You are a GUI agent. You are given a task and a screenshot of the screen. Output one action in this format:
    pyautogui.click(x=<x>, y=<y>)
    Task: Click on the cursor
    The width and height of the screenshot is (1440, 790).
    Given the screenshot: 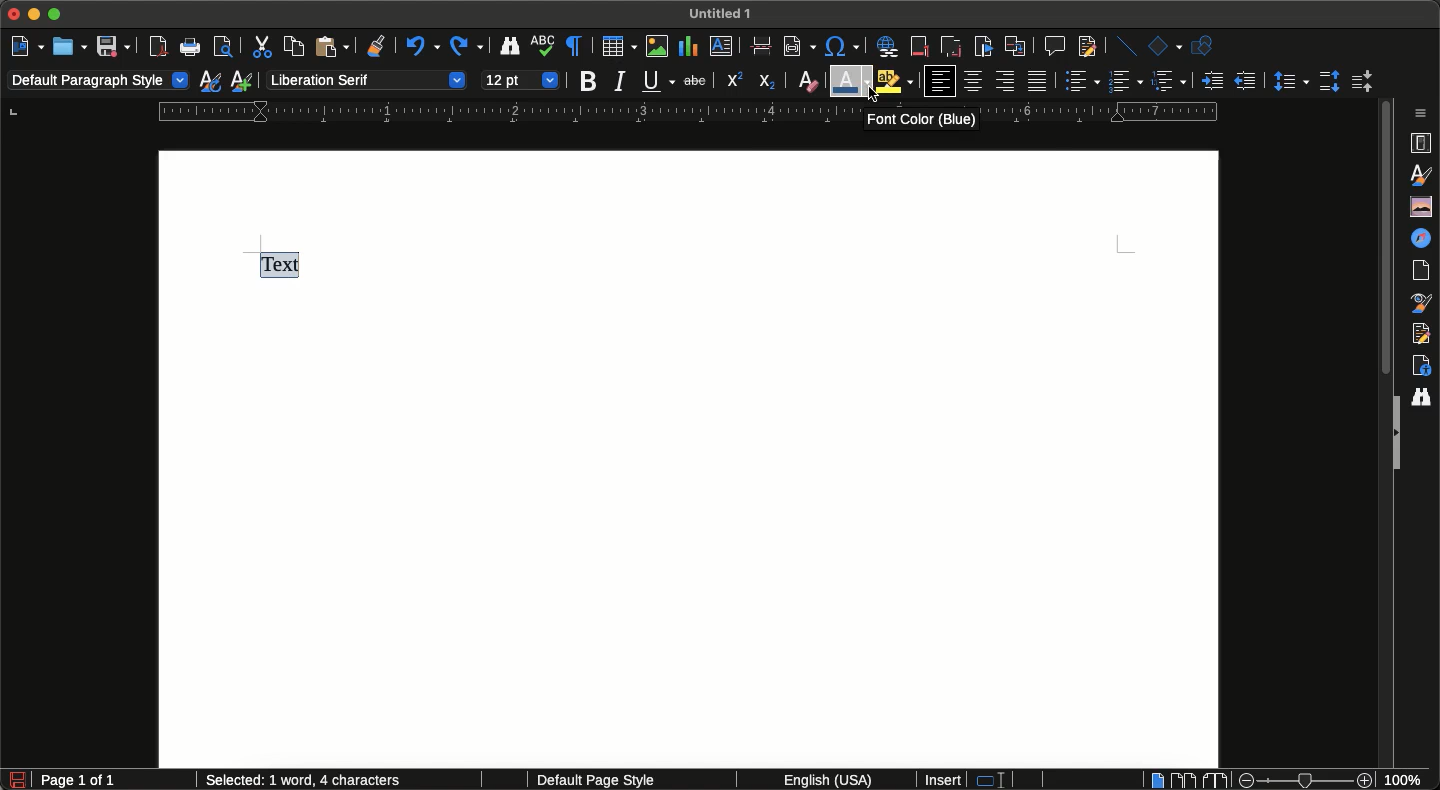 What is the action you would take?
    pyautogui.click(x=875, y=95)
    